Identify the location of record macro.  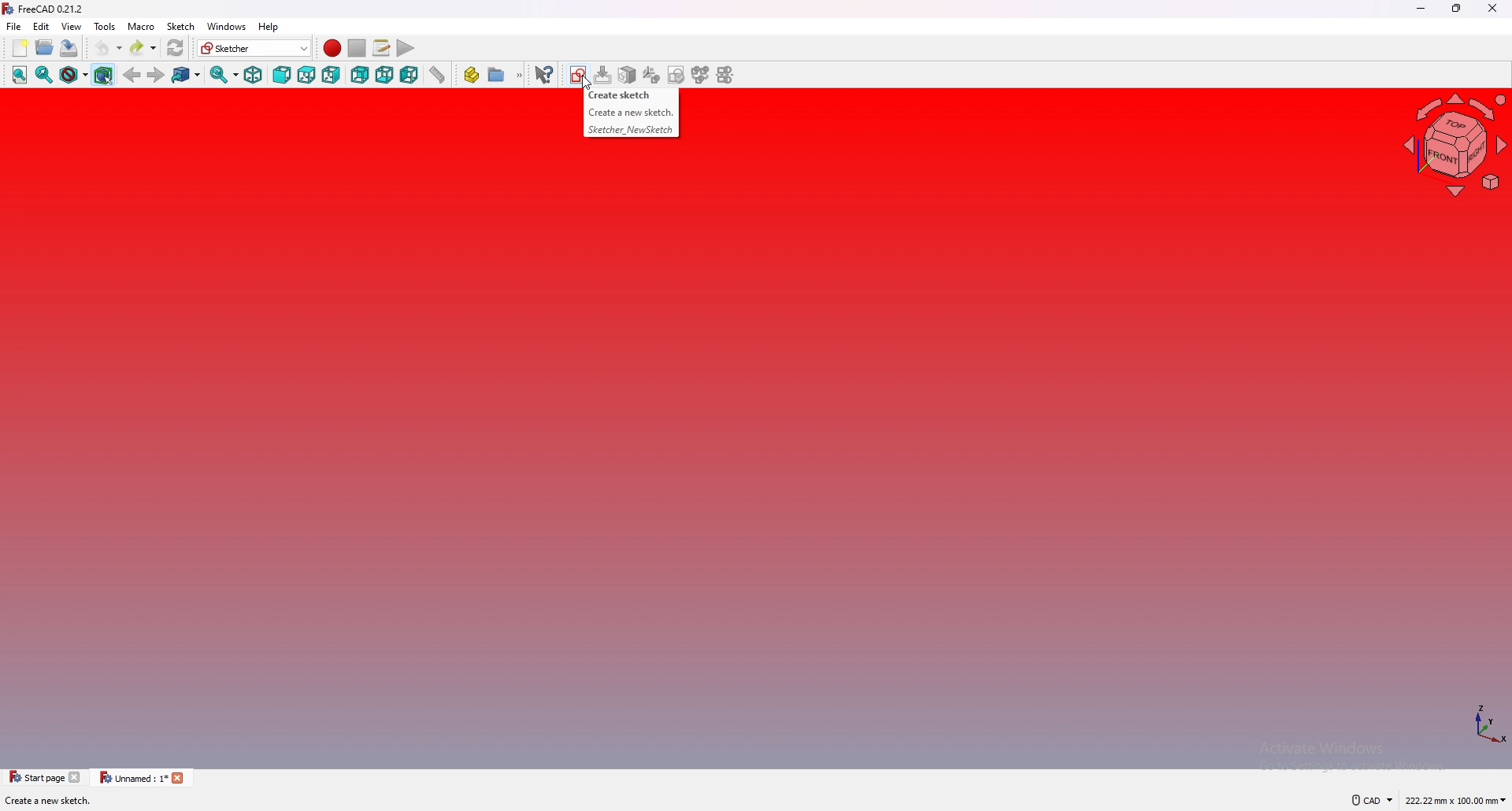
(333, 48).